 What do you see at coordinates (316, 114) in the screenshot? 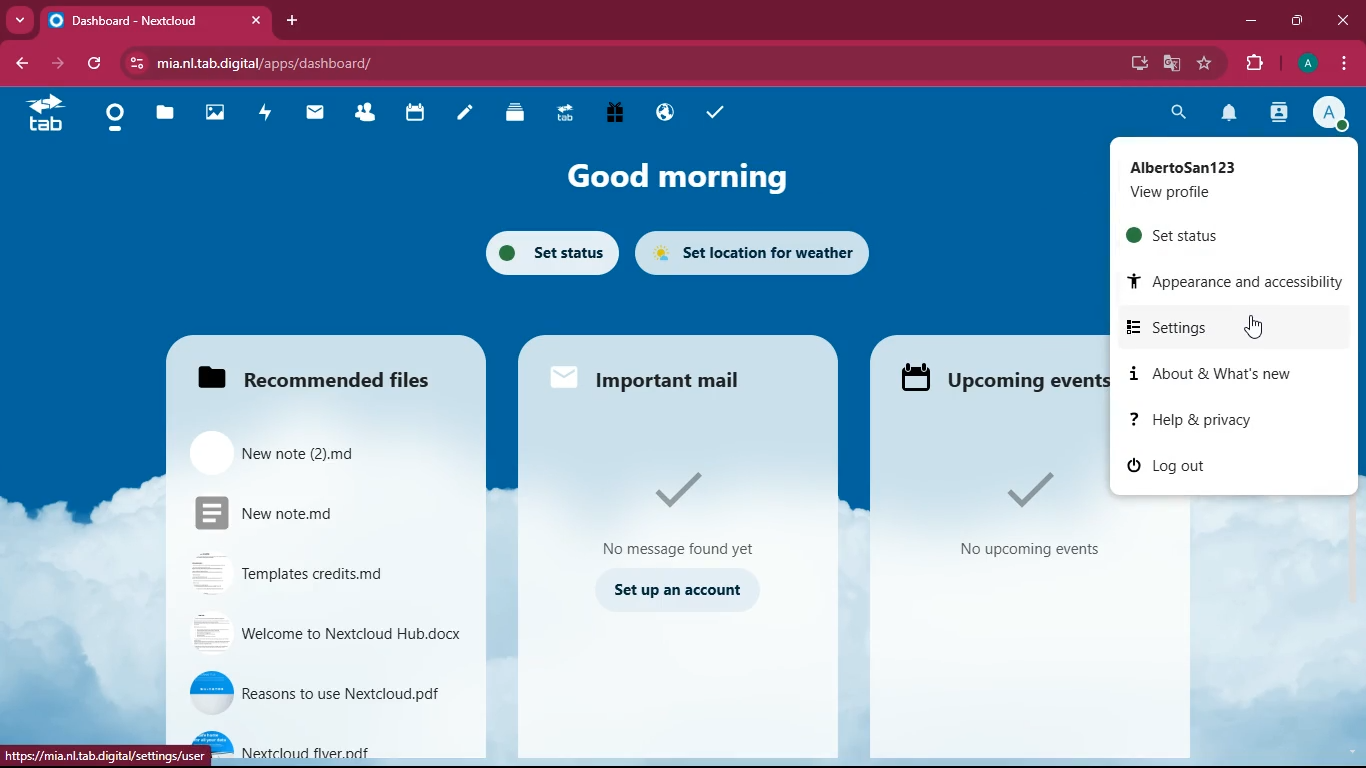
I see `mail` at bounding box center [316, 114].